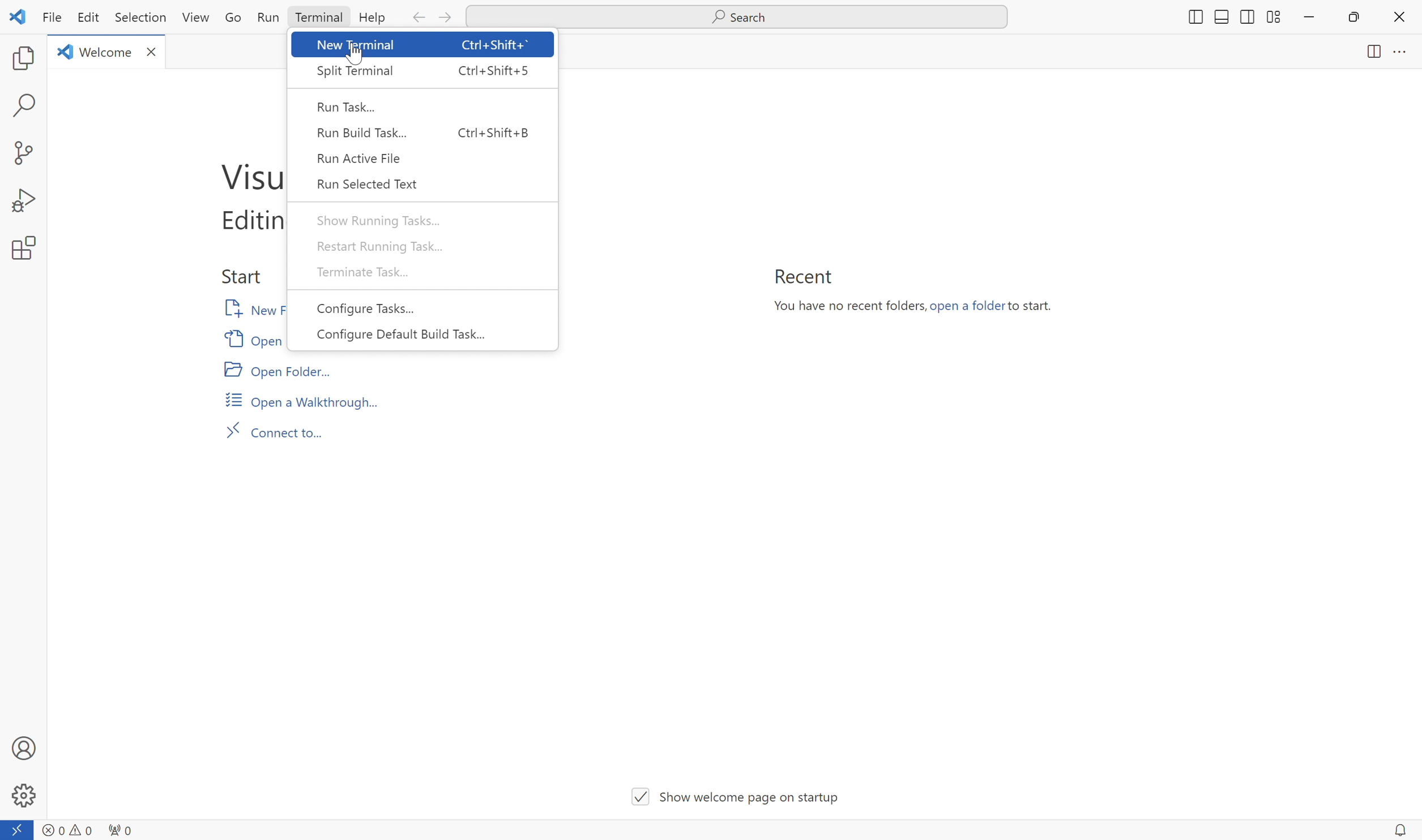 The width and height of the screenshot is (1422, 840). Describe the element at coordinates (402, 335) in the screenshot. I see `Configure Default Build Task...` at that location.